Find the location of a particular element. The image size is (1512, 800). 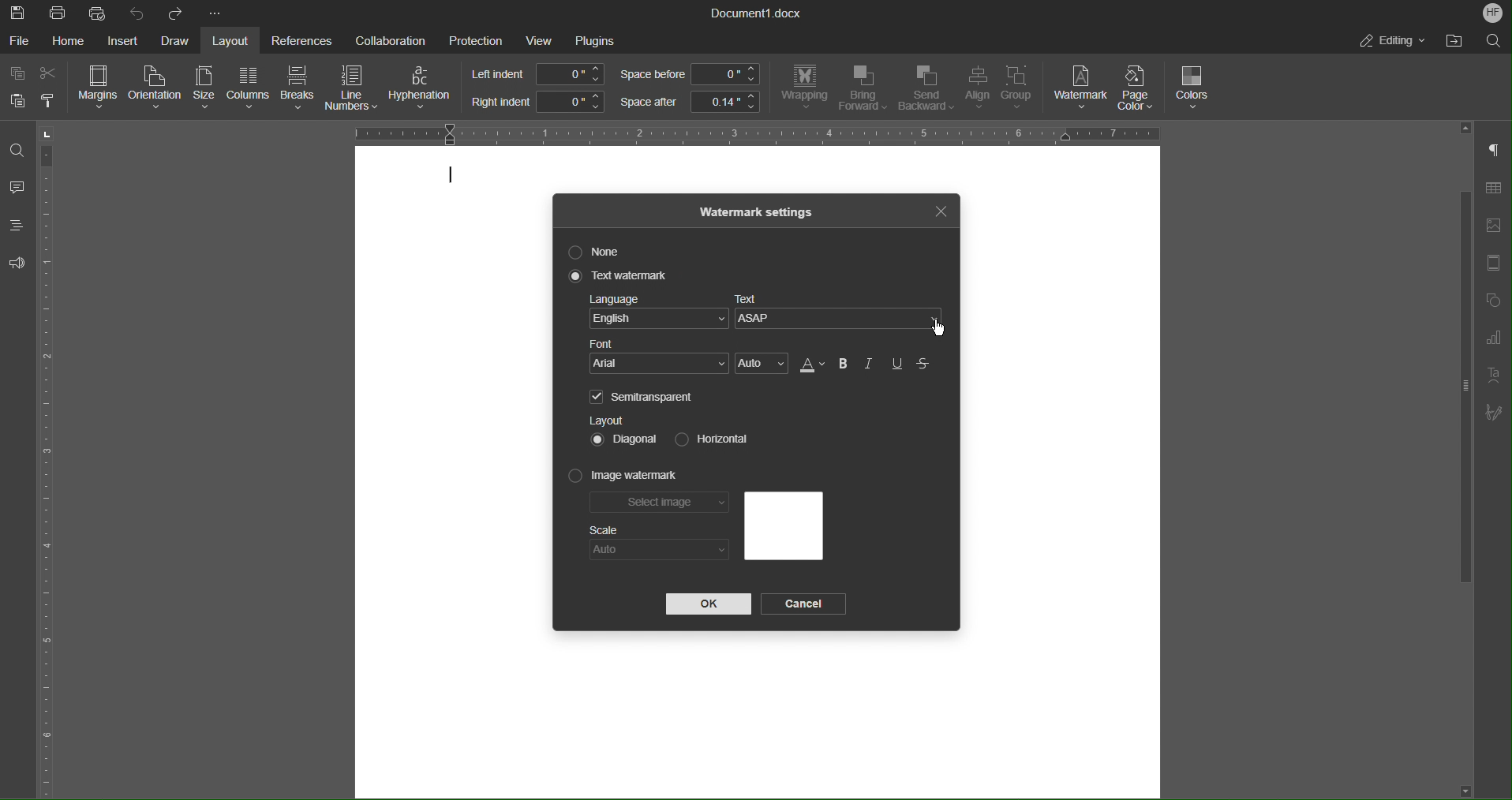

Space before is located at coordinates (689, 75).